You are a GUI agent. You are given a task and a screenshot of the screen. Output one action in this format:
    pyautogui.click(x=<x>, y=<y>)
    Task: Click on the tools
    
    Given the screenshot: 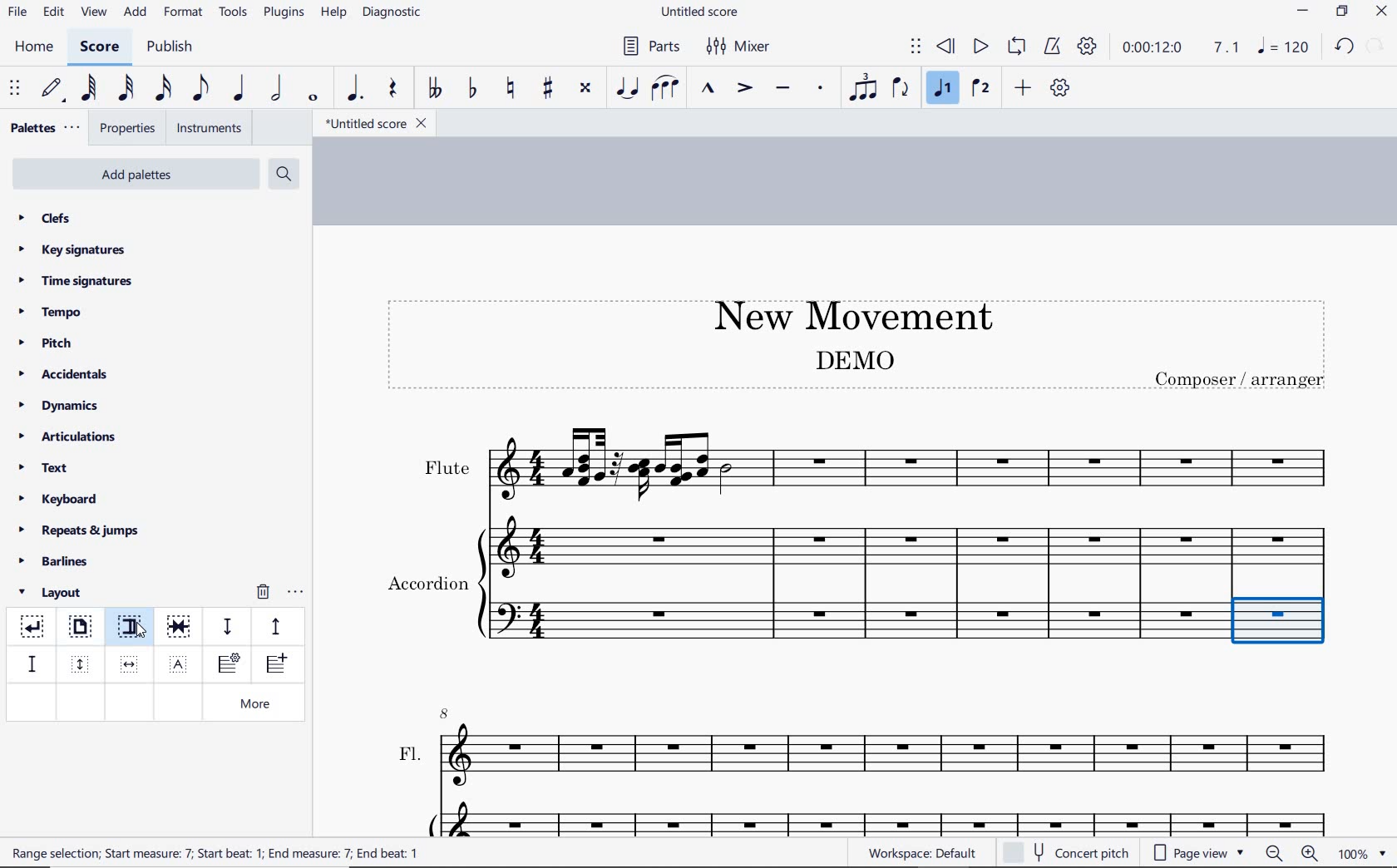 What is the action you would take?
    pyautogui.click(x=234, y=12)
    